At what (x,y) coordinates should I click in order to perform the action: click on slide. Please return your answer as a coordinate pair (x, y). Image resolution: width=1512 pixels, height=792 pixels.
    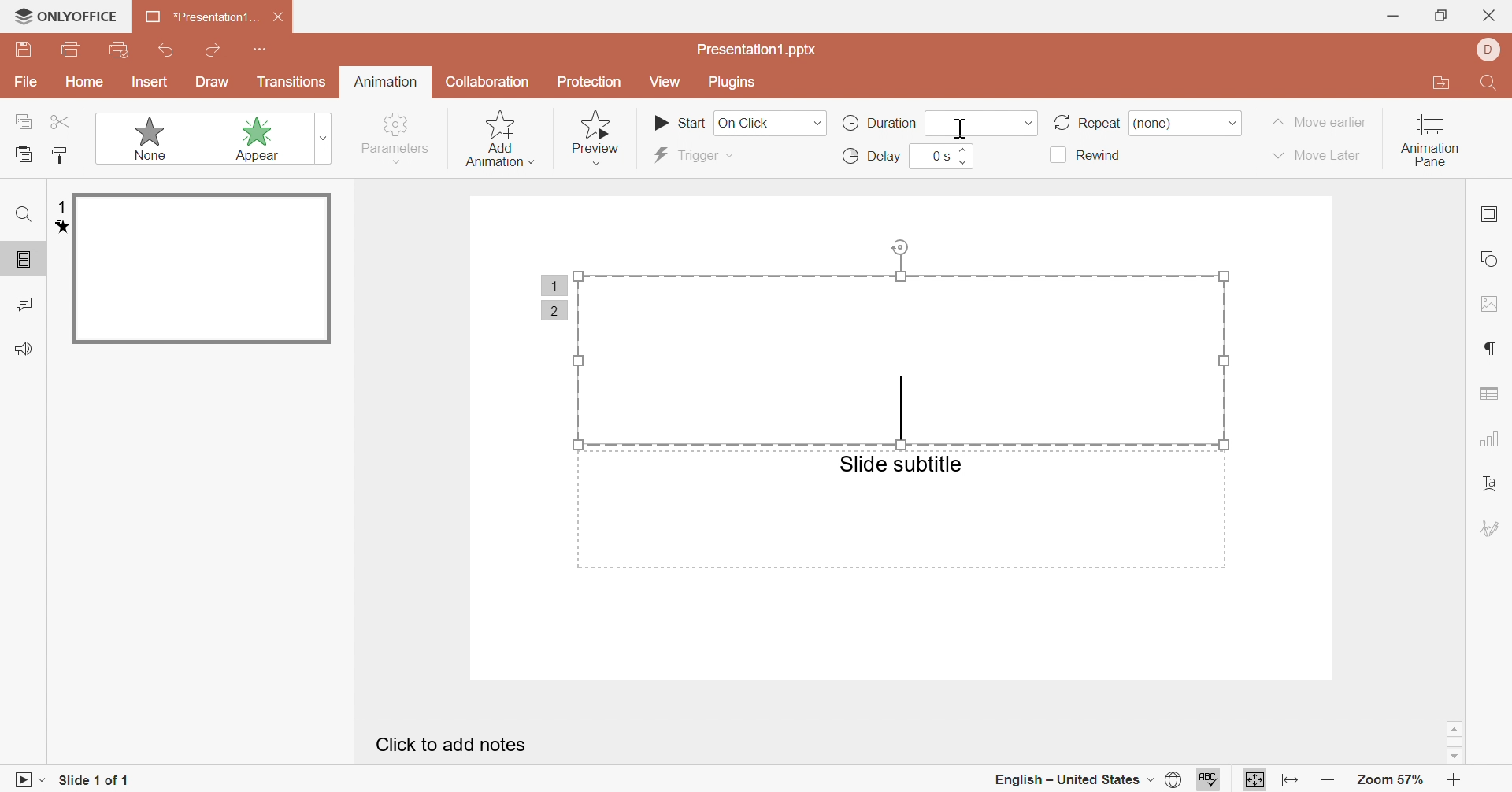
    Looking at the image, I should click on (26, 261).